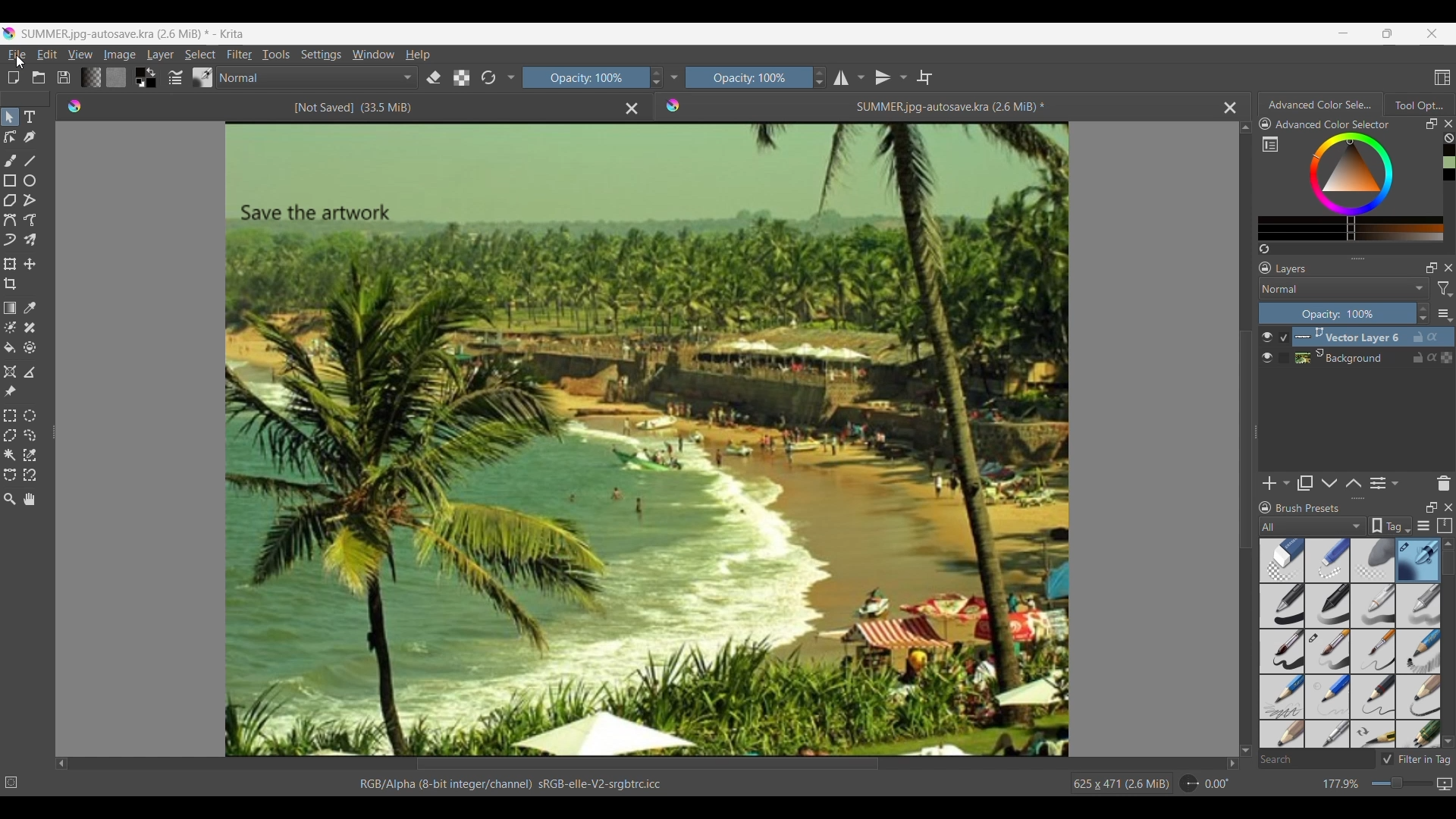 The image size is (1456, 819). Describe the element at coordinates (11, 372) in the screenshot. I see `Assistant tool` at that location.